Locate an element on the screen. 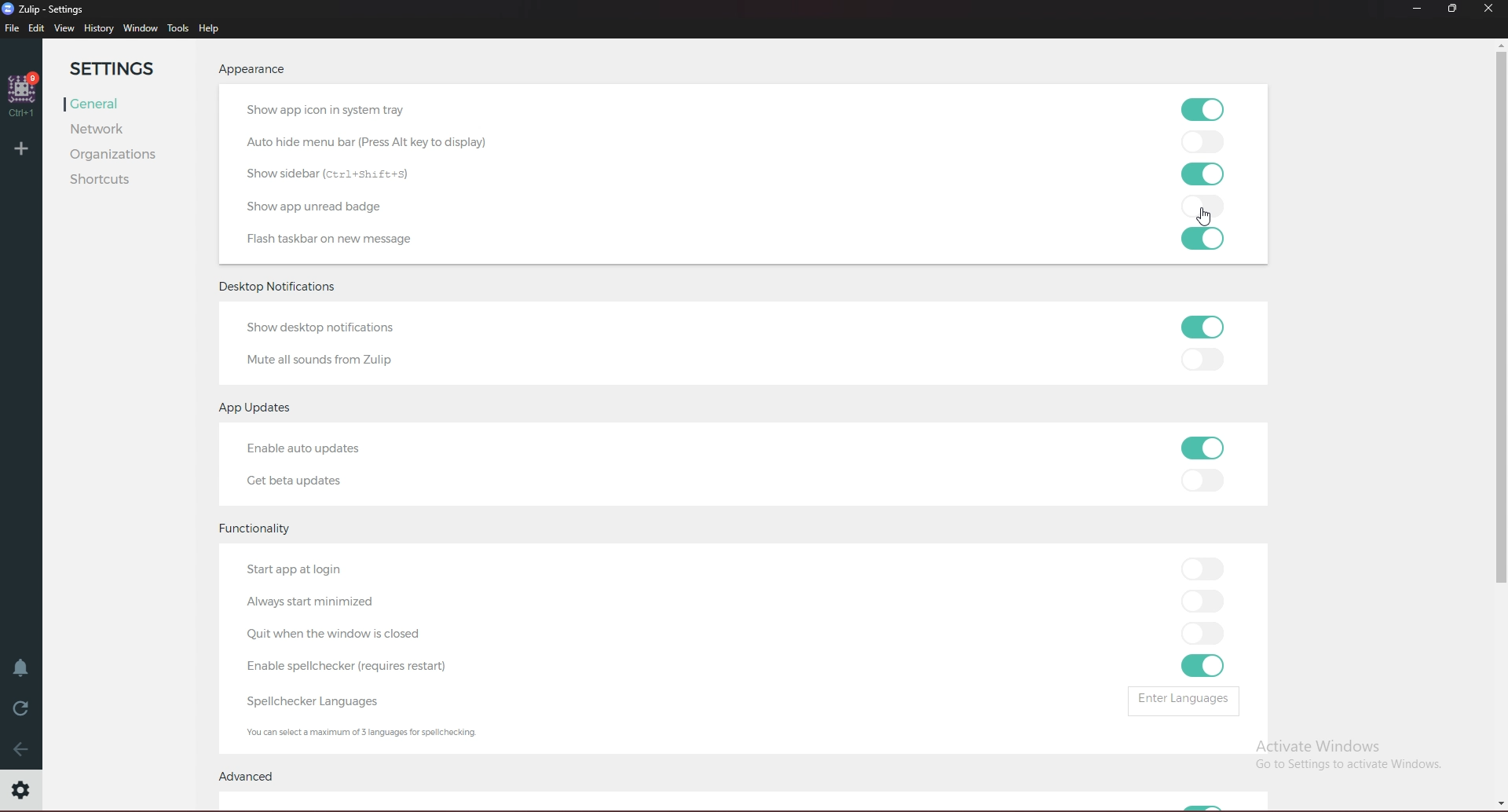 This screenshot has height=812, width=1508. view is located at coordinates (67, 28).